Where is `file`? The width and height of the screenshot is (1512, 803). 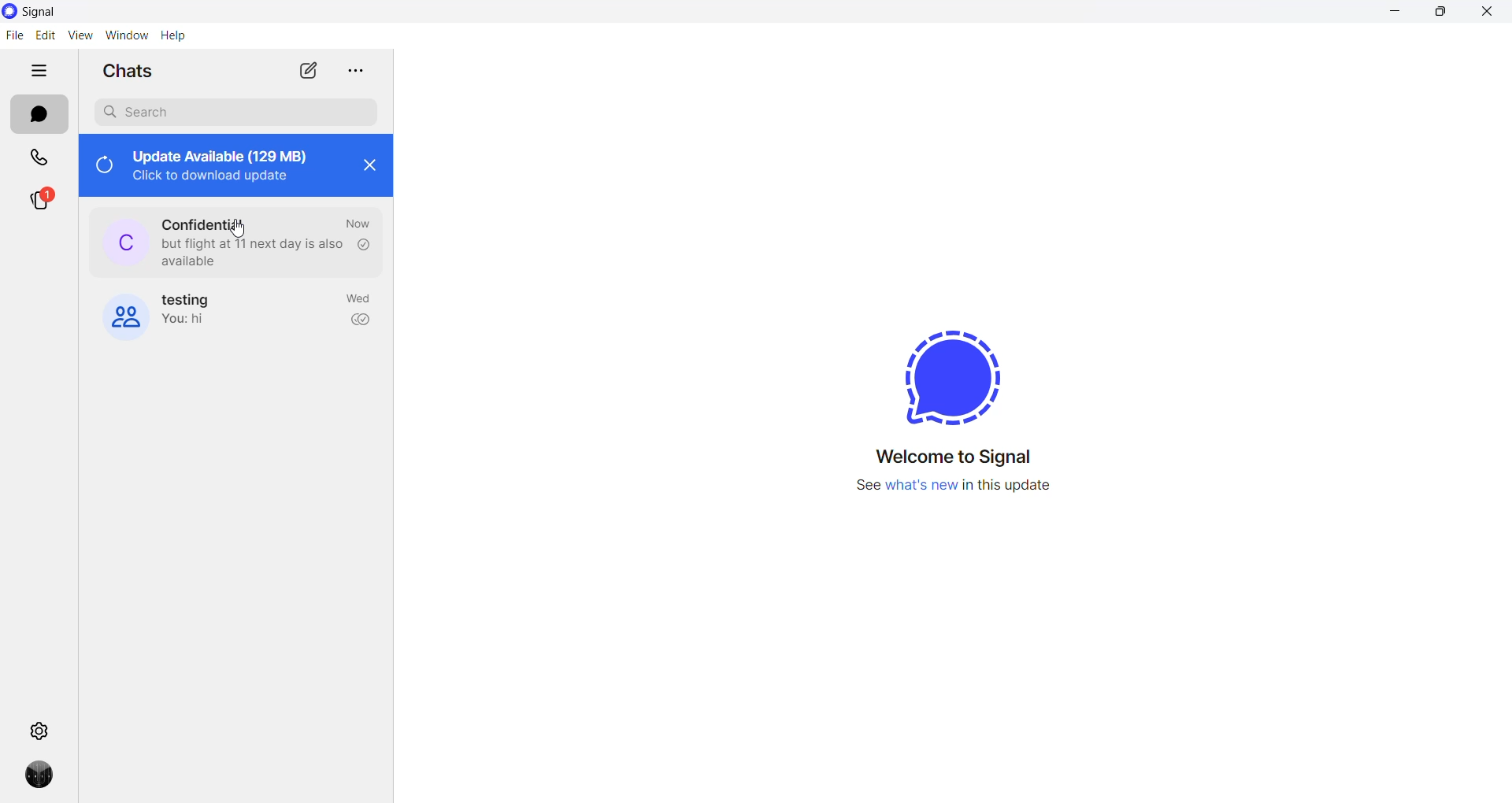 file is located at coordinates (14, 39).